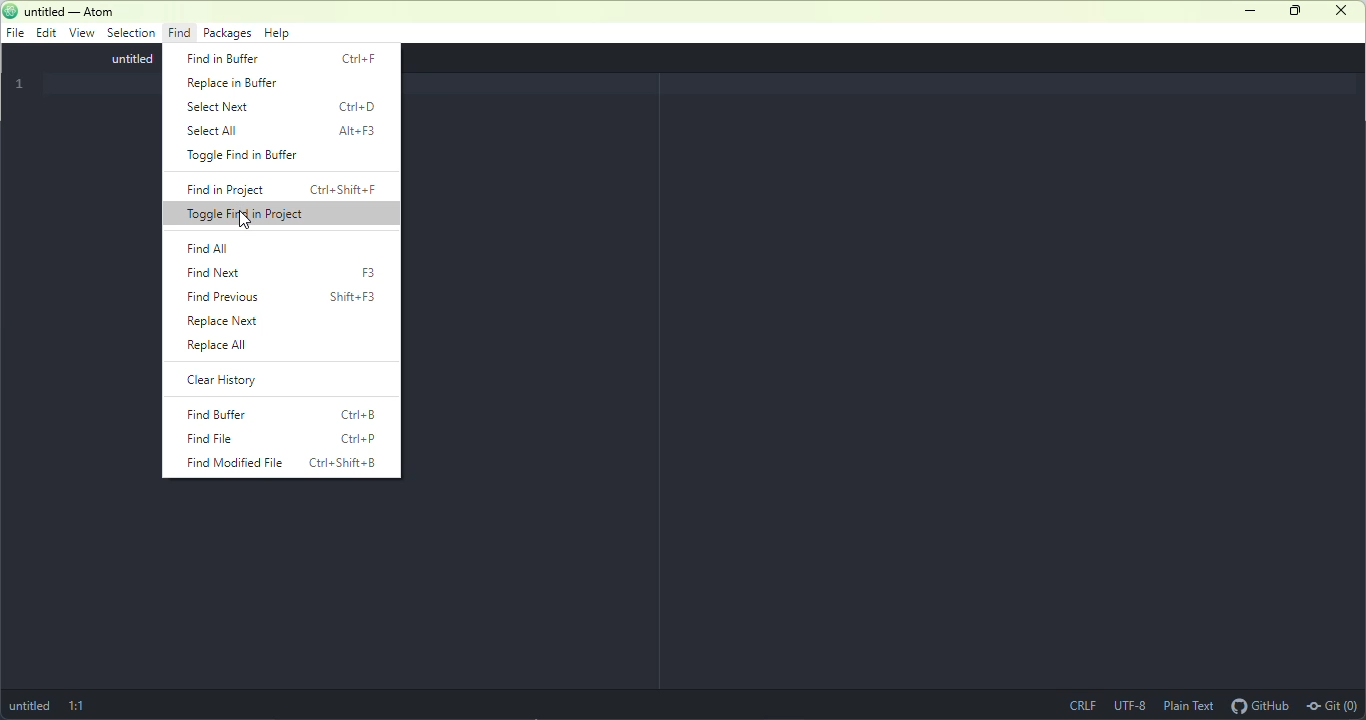  Describe the element at coordinates (242, 83) in the screenshot. I see `replace in buffer` at that location.